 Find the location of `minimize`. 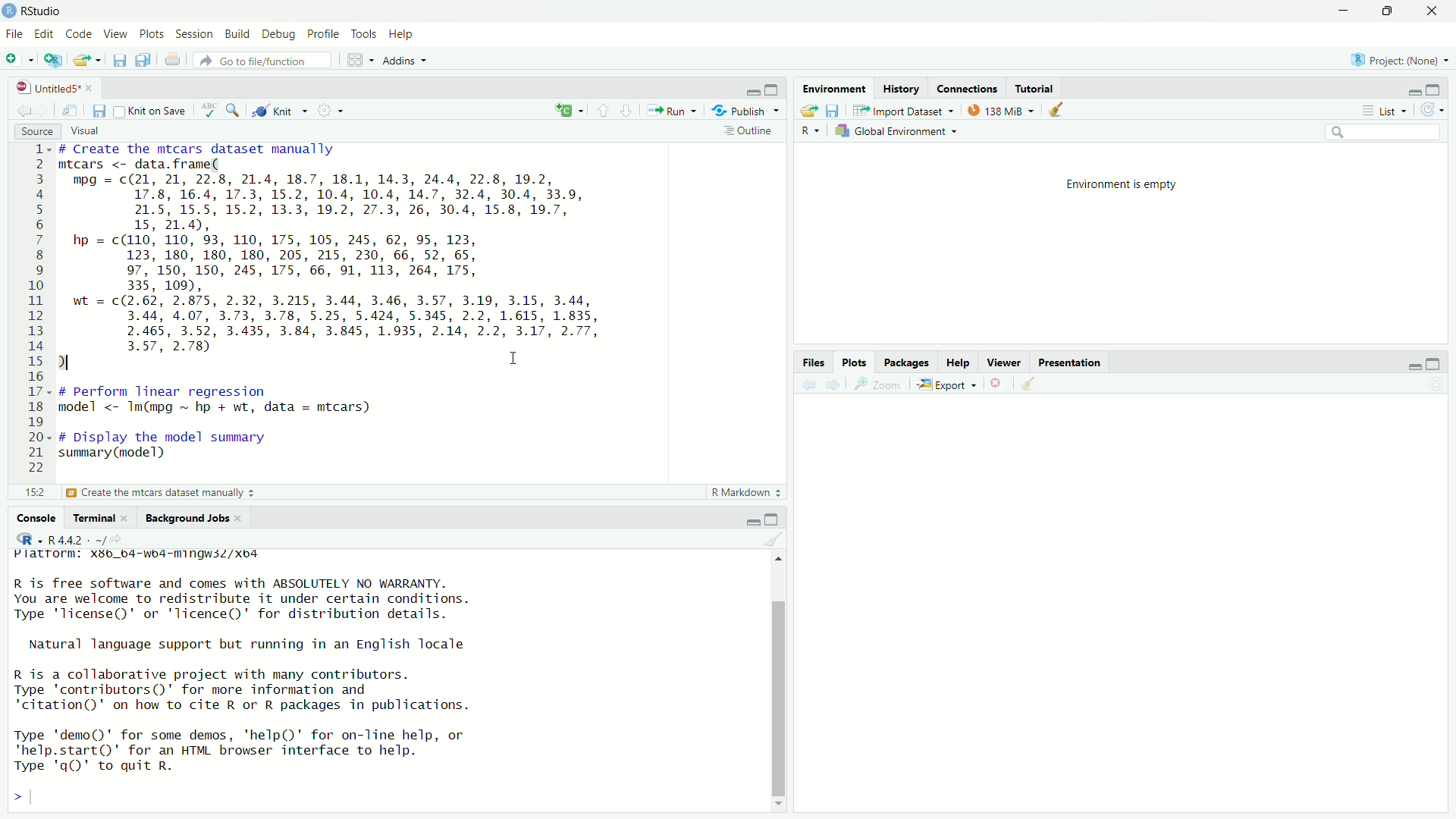

minimize is located at coordinates (1345, 11).